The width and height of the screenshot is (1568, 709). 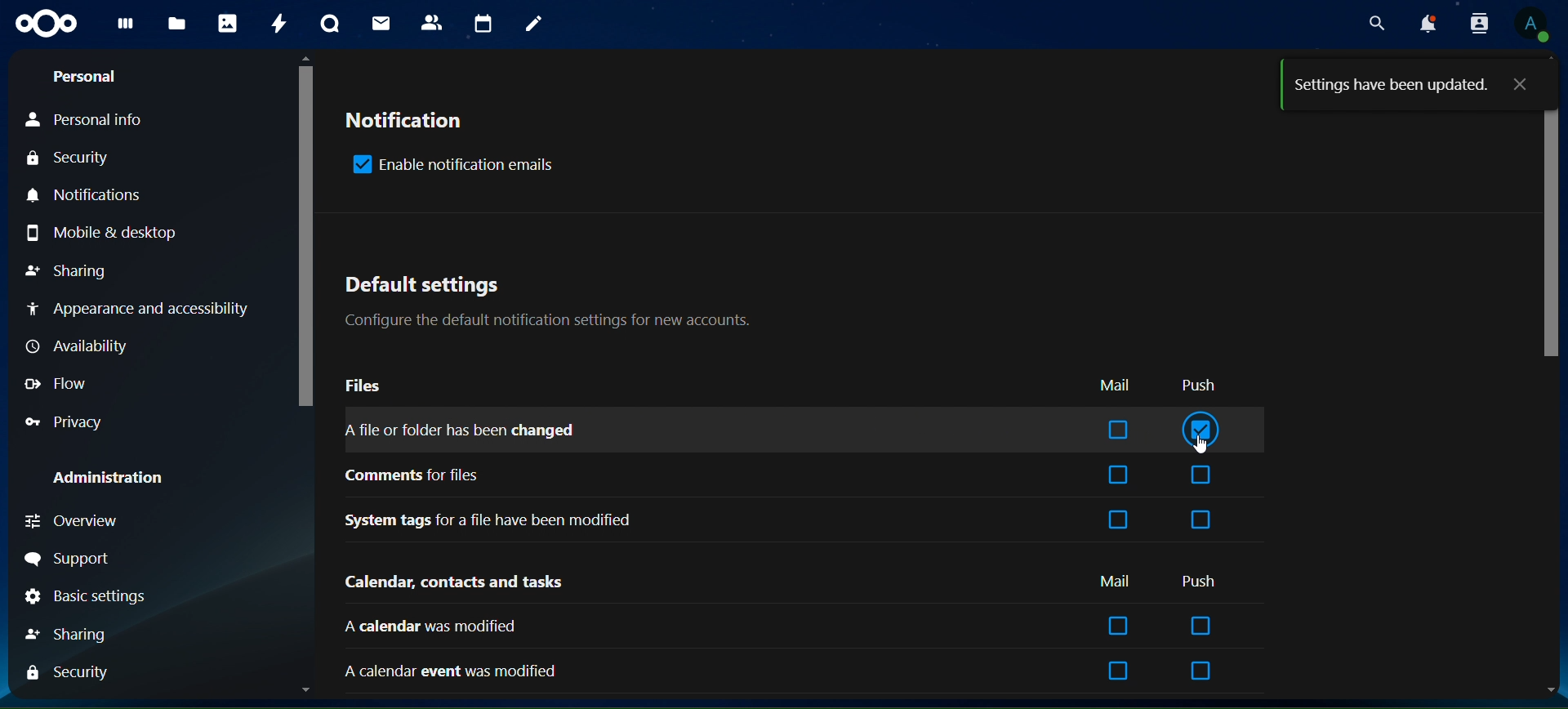 I want to click on administration, so click(x=108, y=479).